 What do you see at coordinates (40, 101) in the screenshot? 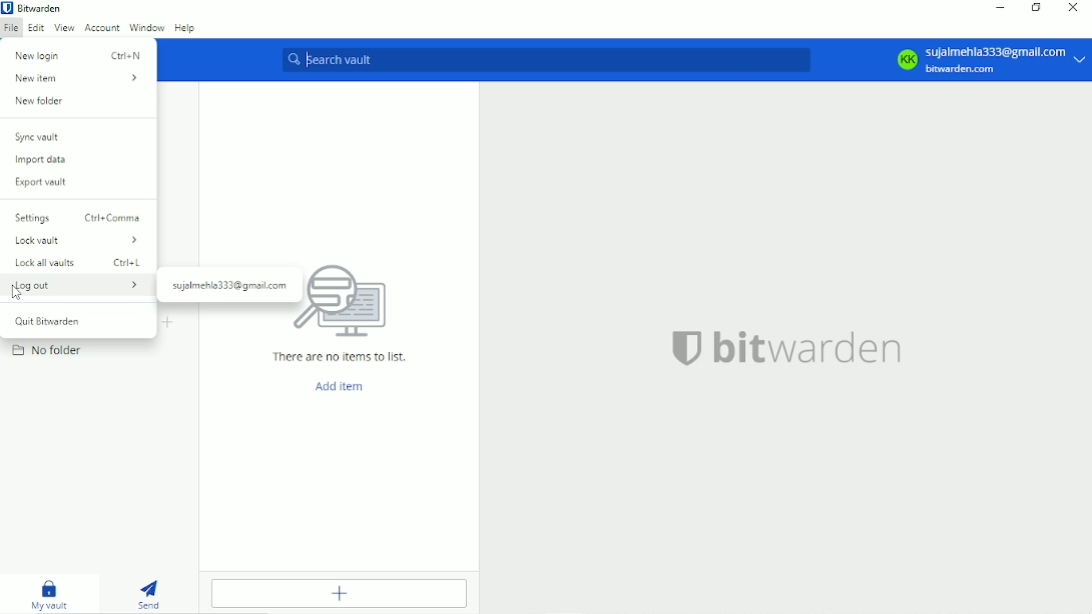
I see `New folder` at bounding box center [40, 101].